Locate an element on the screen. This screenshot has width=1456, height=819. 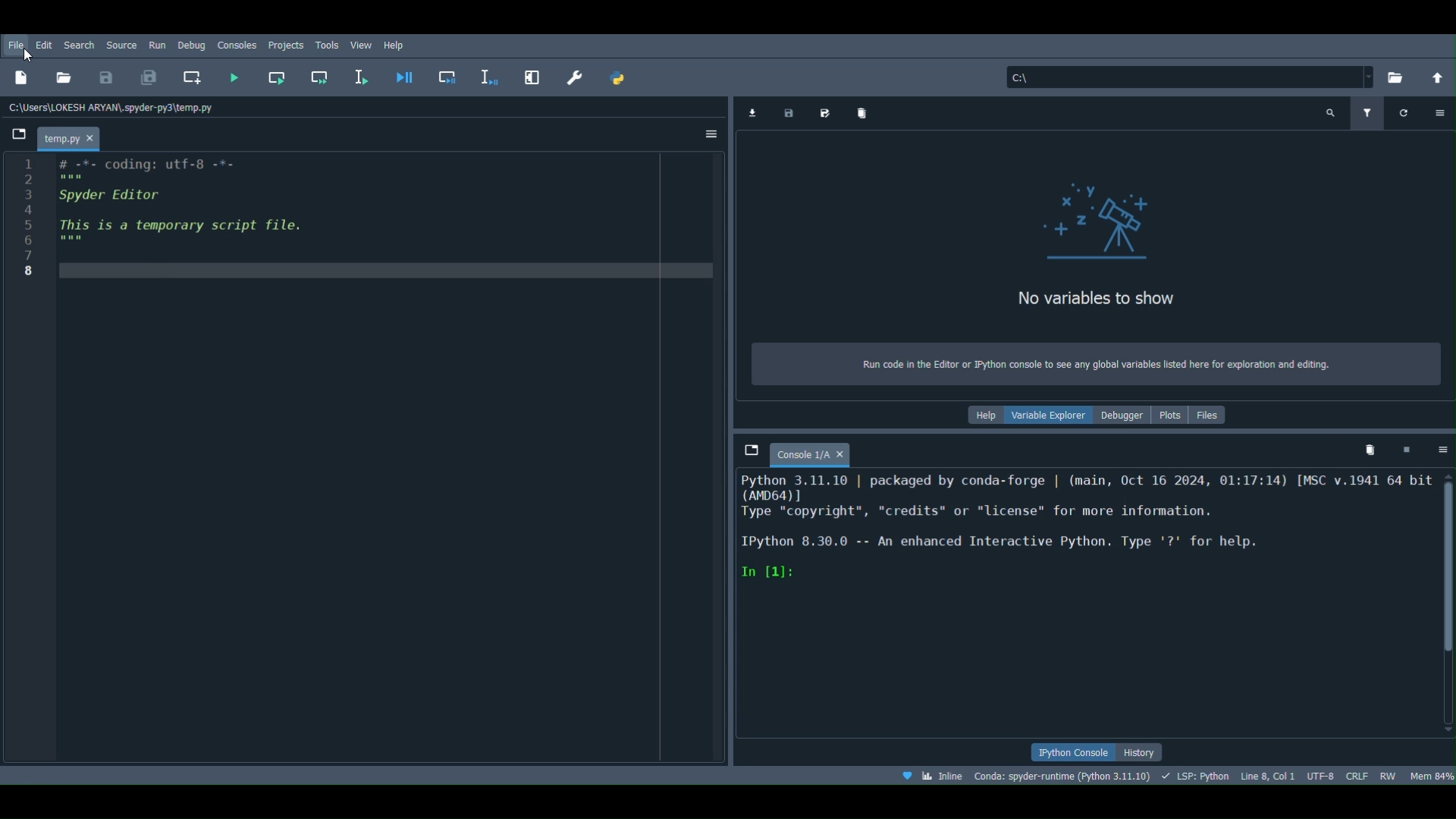
Run file (F5) is located at coordinates (234, 76).